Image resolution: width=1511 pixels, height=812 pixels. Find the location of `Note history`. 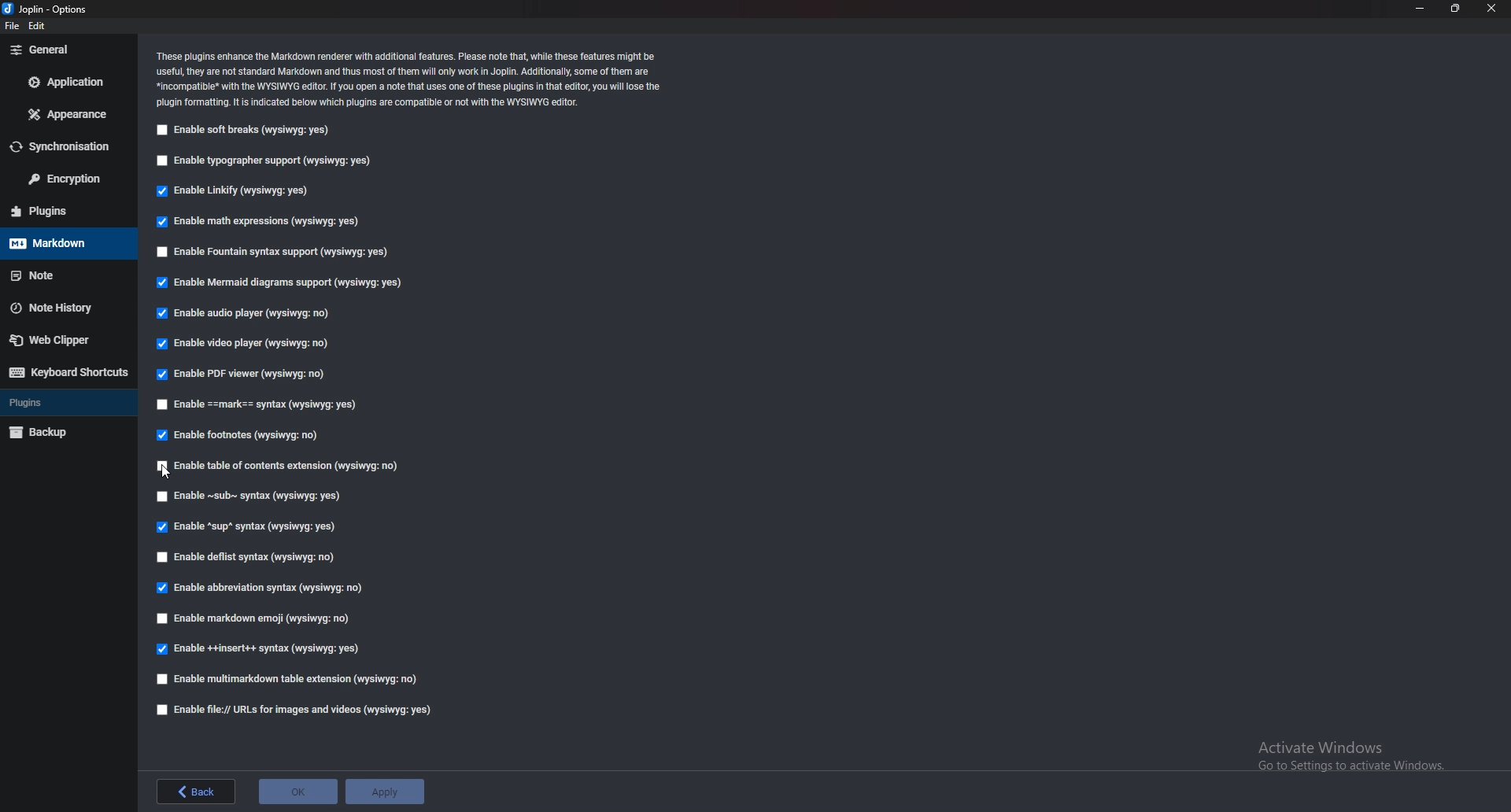

Note history is located at coordinates (63, 309).